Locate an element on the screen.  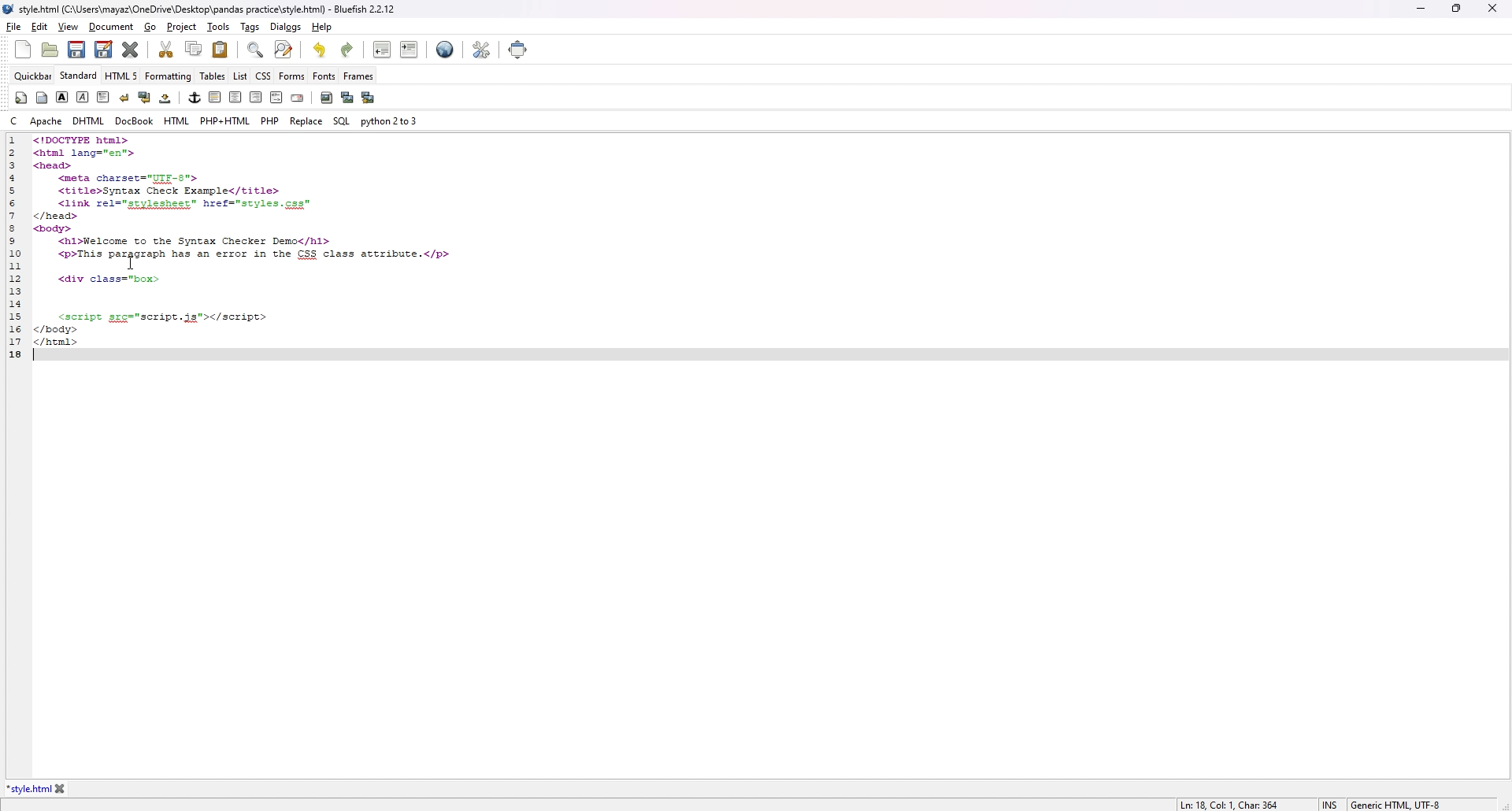
php is located at coordinates (271, 120).